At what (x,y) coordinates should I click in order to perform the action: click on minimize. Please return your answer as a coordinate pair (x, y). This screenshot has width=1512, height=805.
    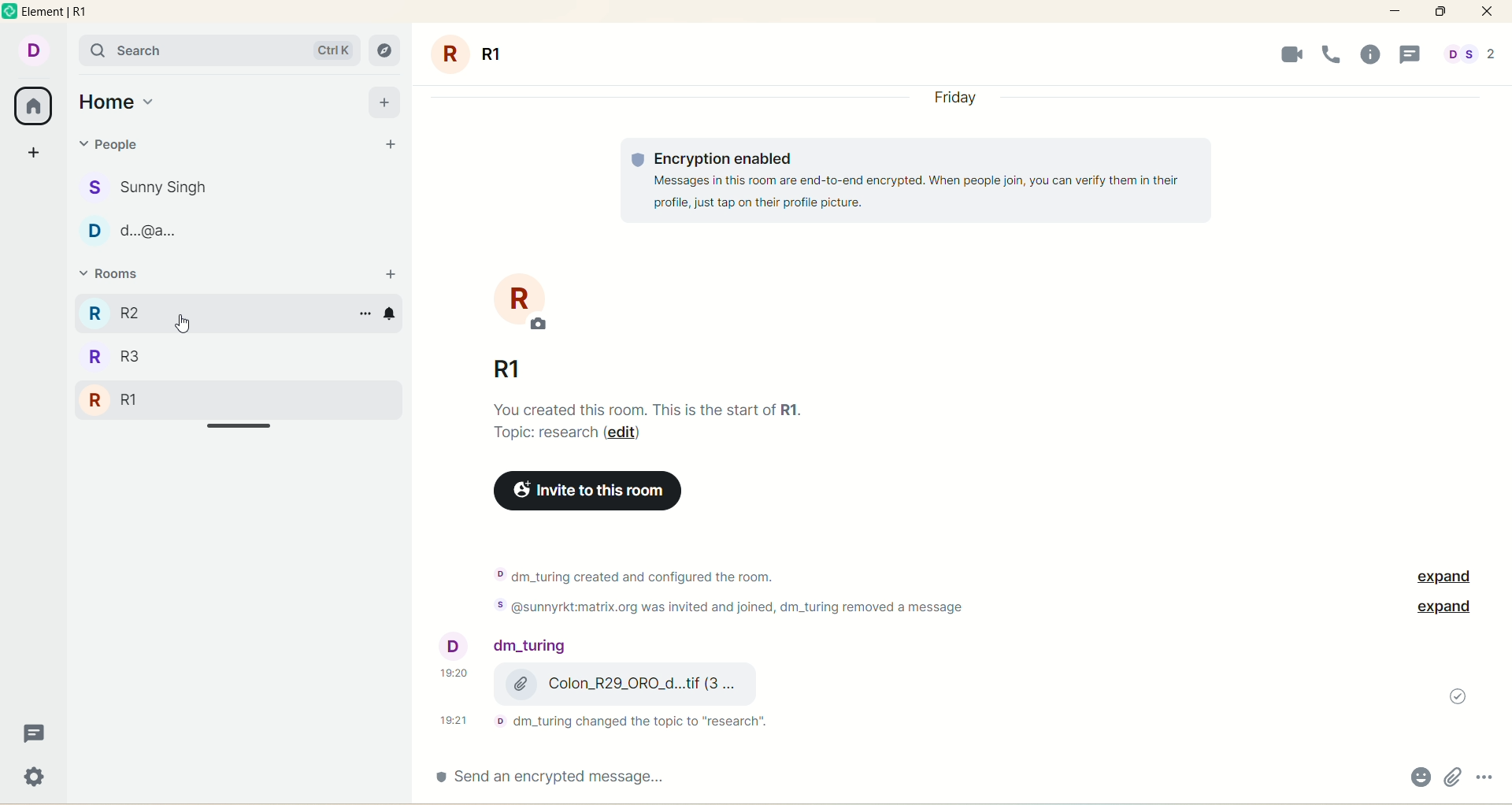
    Looking at the image, I should click on (1396, 9).